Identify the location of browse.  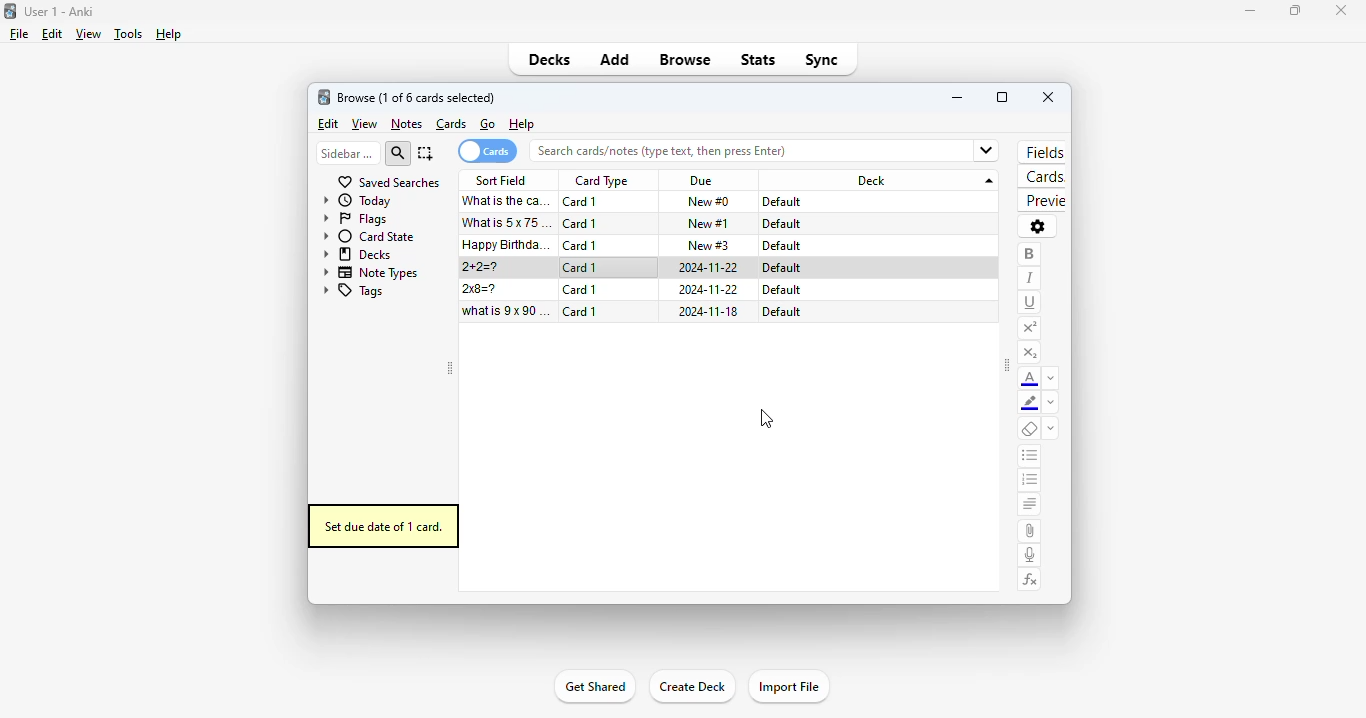
(686, 61).